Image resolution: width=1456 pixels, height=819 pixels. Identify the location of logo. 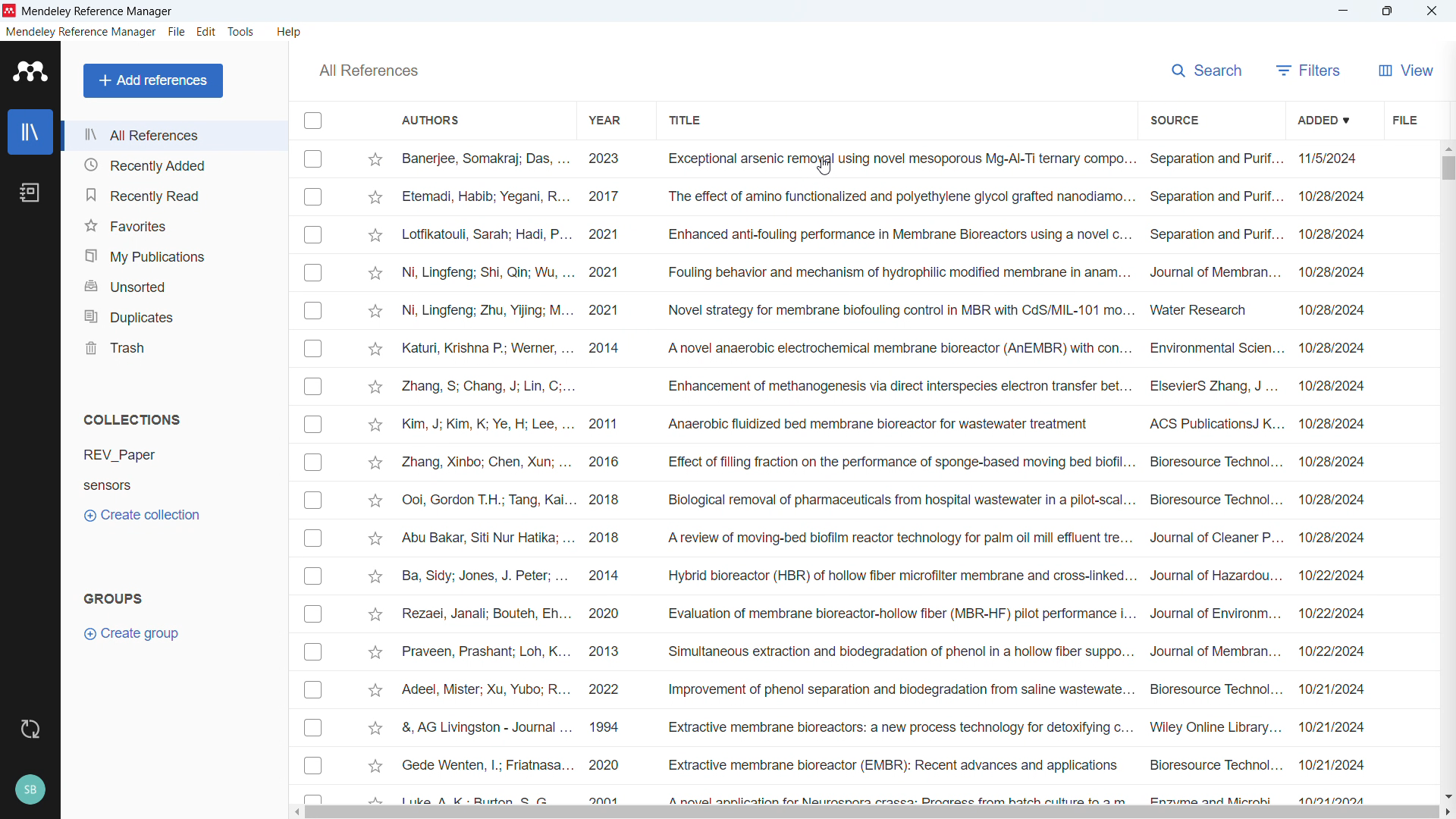
(30, 71).